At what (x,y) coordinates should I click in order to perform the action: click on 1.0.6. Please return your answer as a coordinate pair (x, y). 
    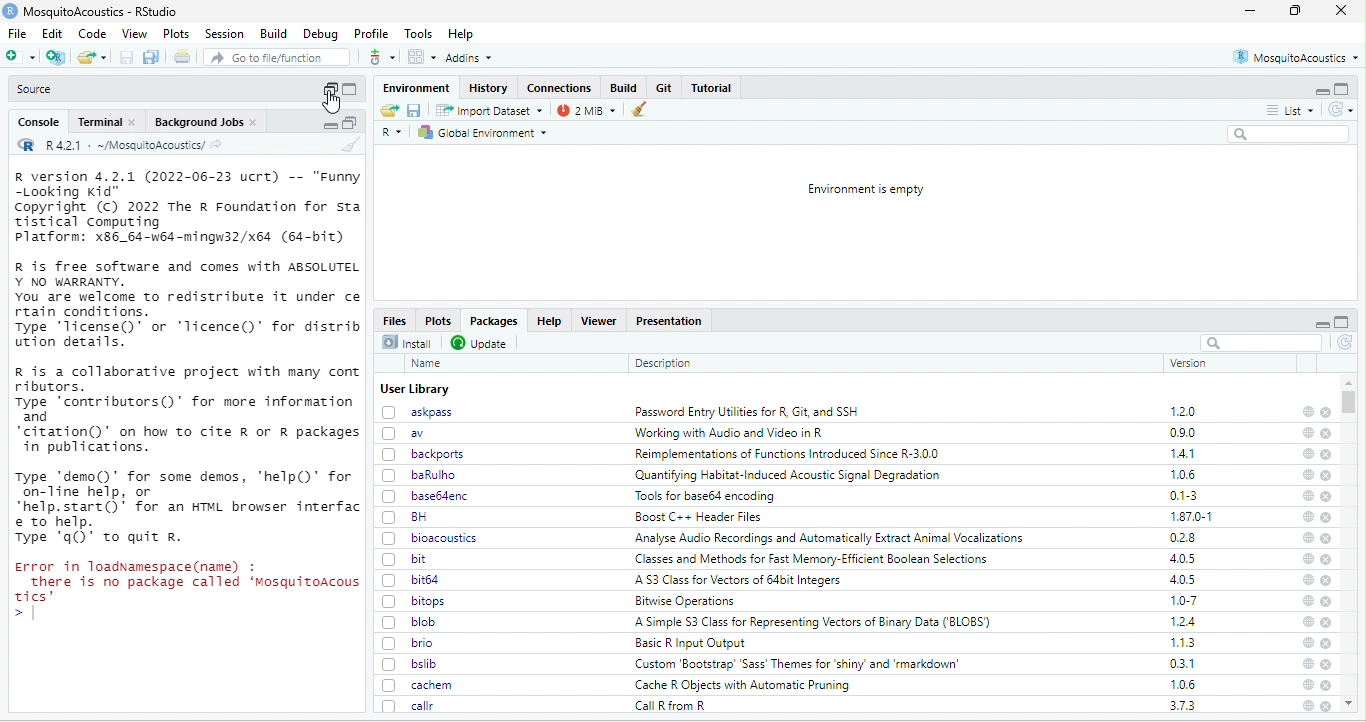
    Looking at the image, I should click on (1183, 684).